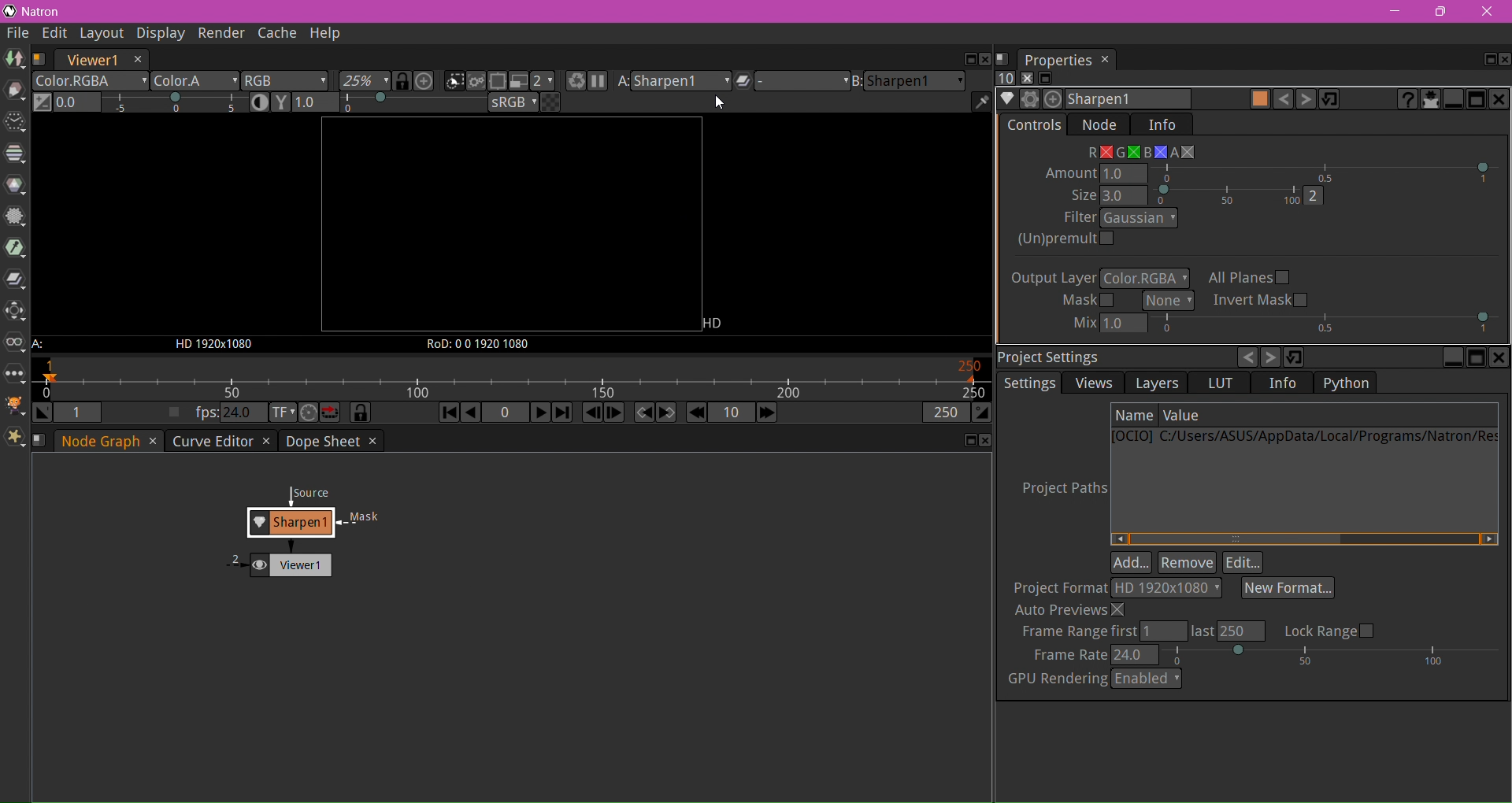  Describe the element at coordinates (1036, 125) in the screenshot. I see `Controls` at that location.